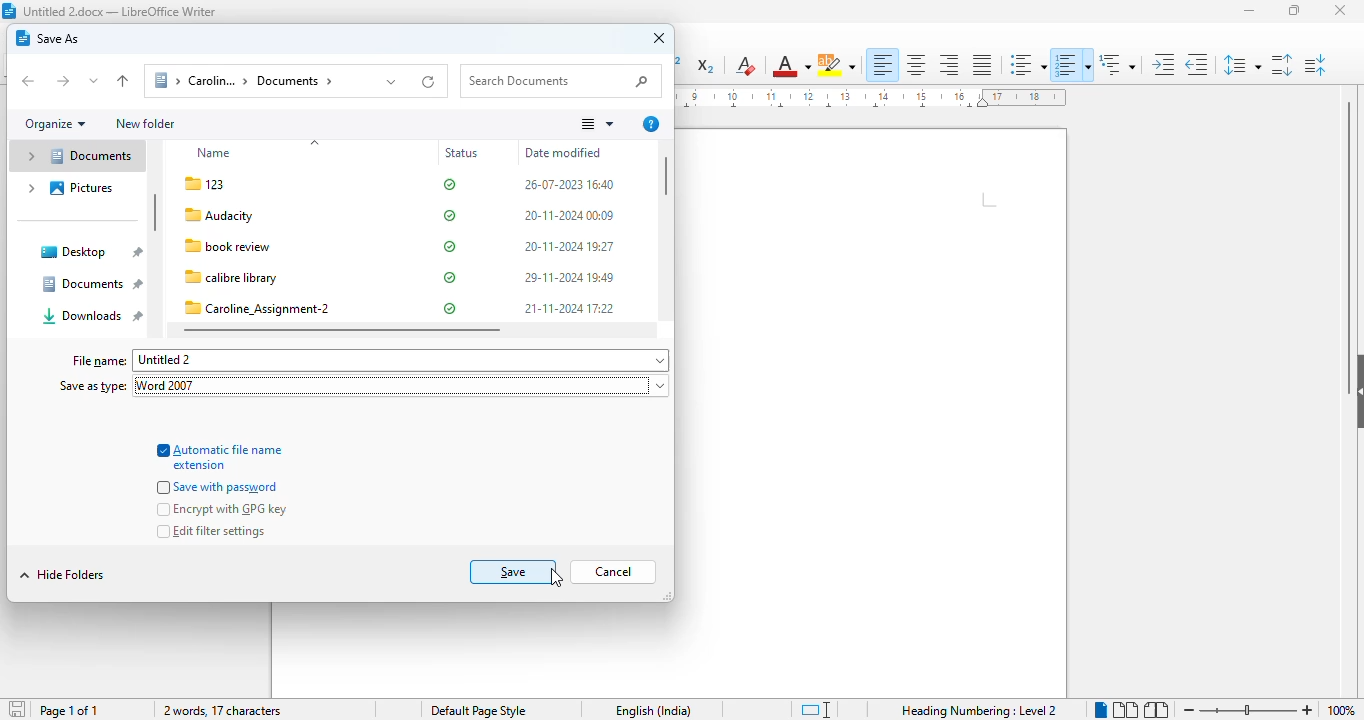  What do you see at coordinates (172, 386) in the screenshot?
I see `word 2007` at bounding box center [172, 386].